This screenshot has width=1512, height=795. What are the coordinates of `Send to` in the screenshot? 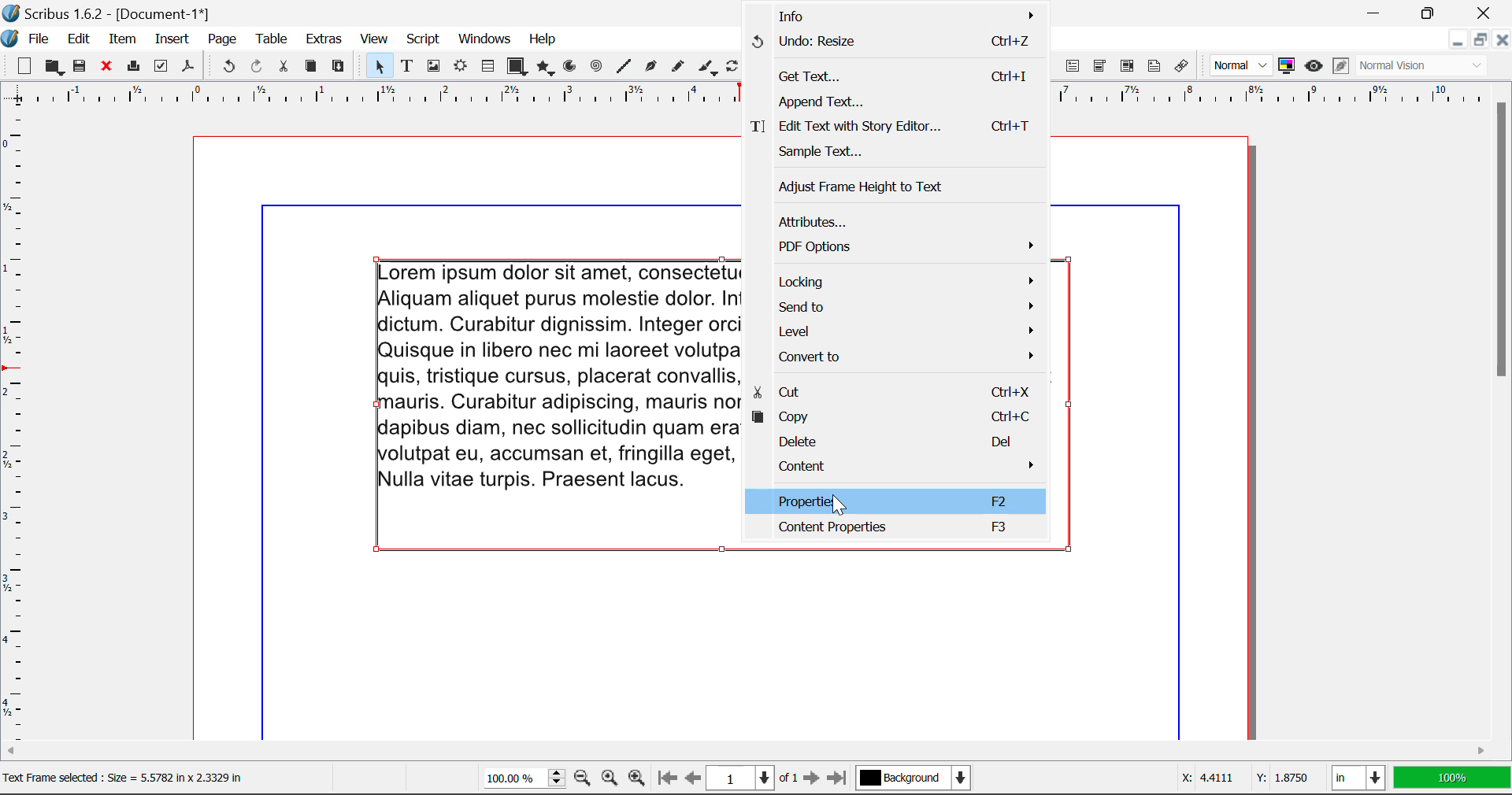 It's located at (899, 307).